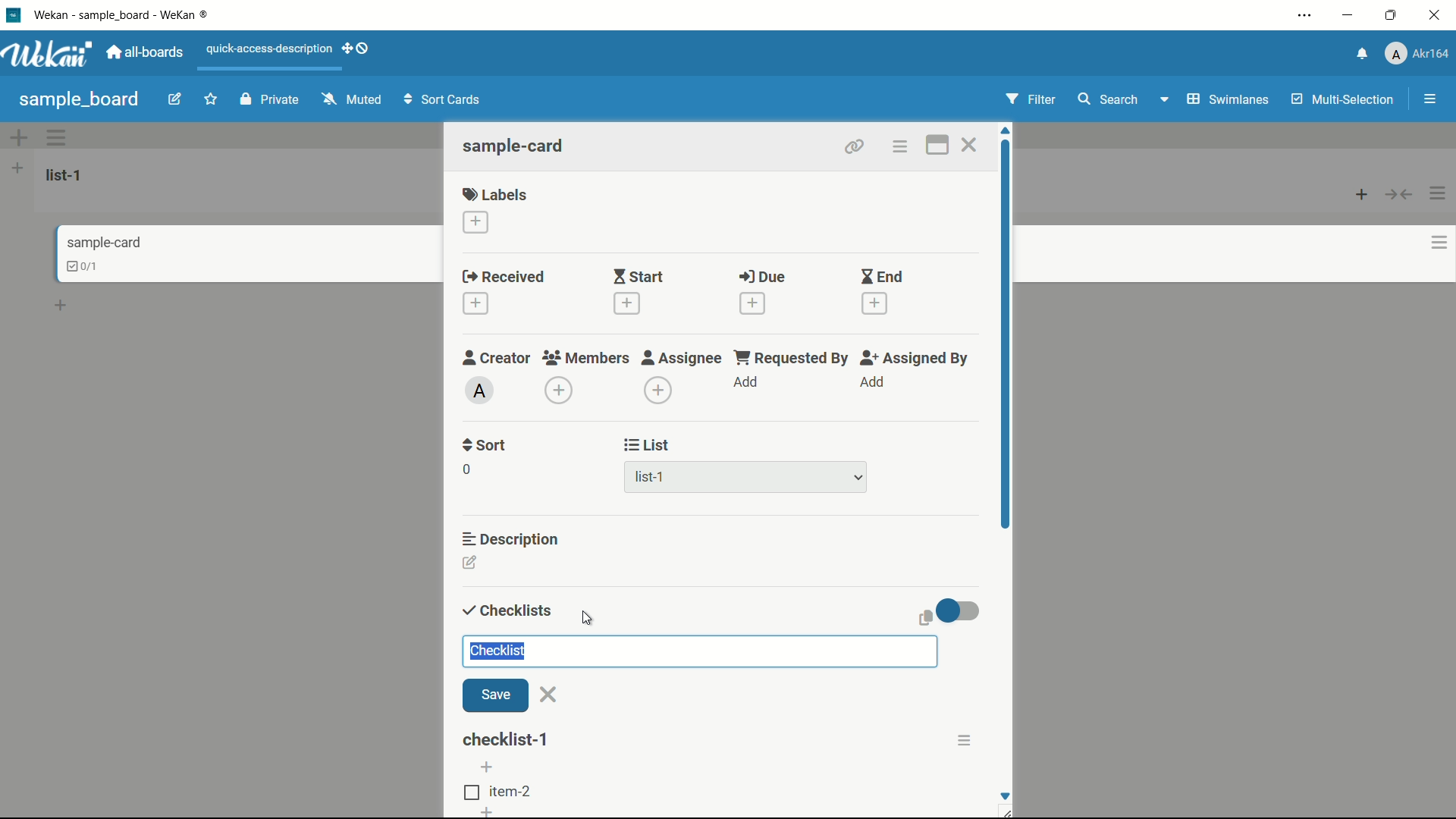 The width and height of the screenshot is (1456, 819). Describe the element at coordinates (682, 358) in the screenshot. I see `assignee` at that location.